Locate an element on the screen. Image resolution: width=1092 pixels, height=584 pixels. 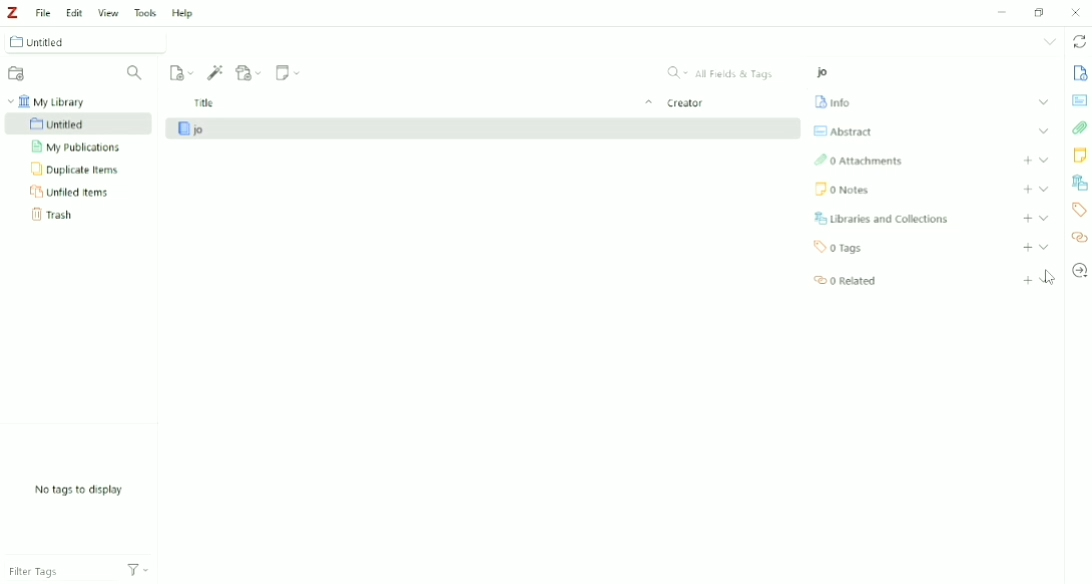
New Note is located at coordinates (287, 73).